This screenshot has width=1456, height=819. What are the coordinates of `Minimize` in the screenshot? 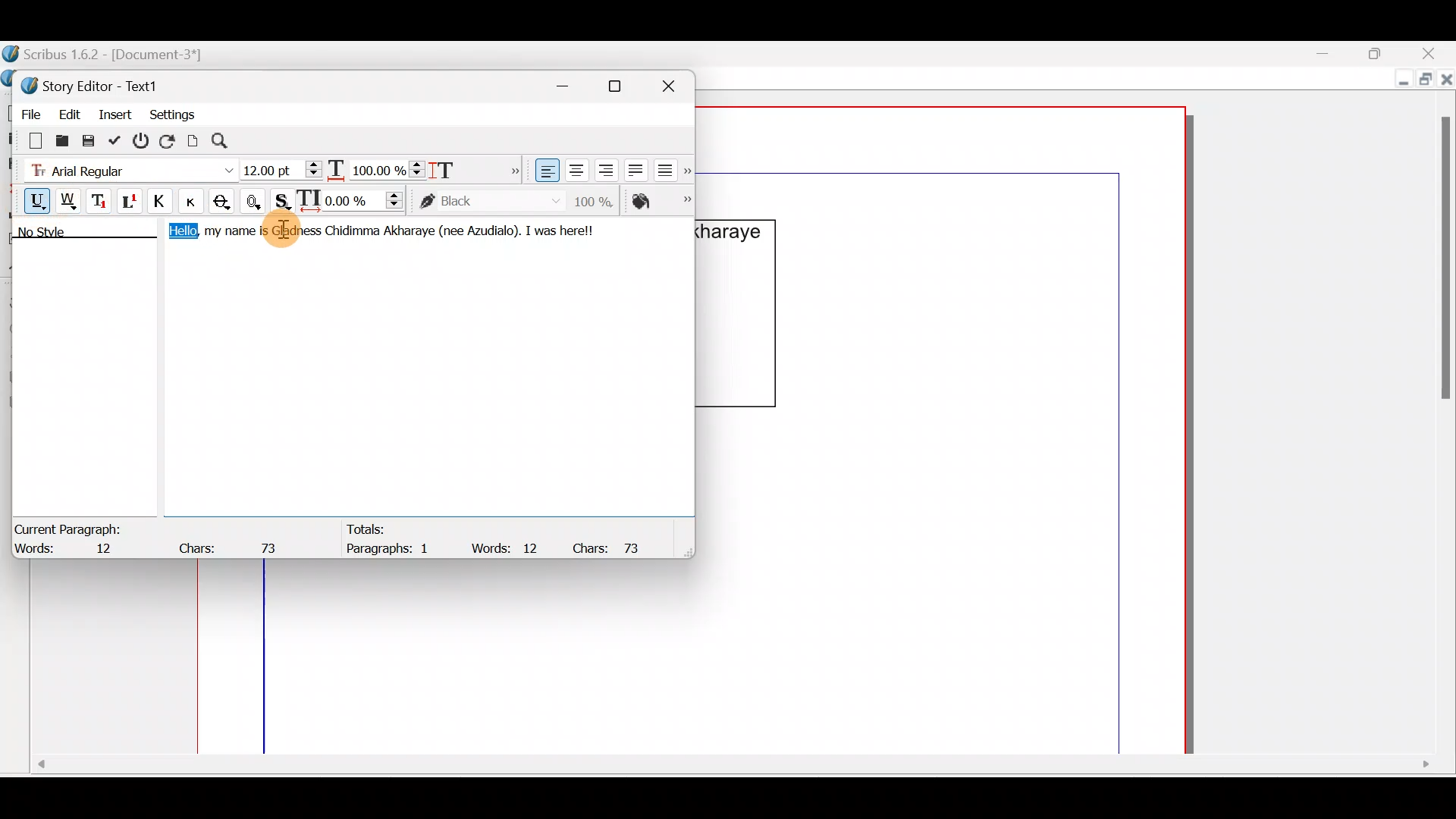 It's located at (1400, 81).